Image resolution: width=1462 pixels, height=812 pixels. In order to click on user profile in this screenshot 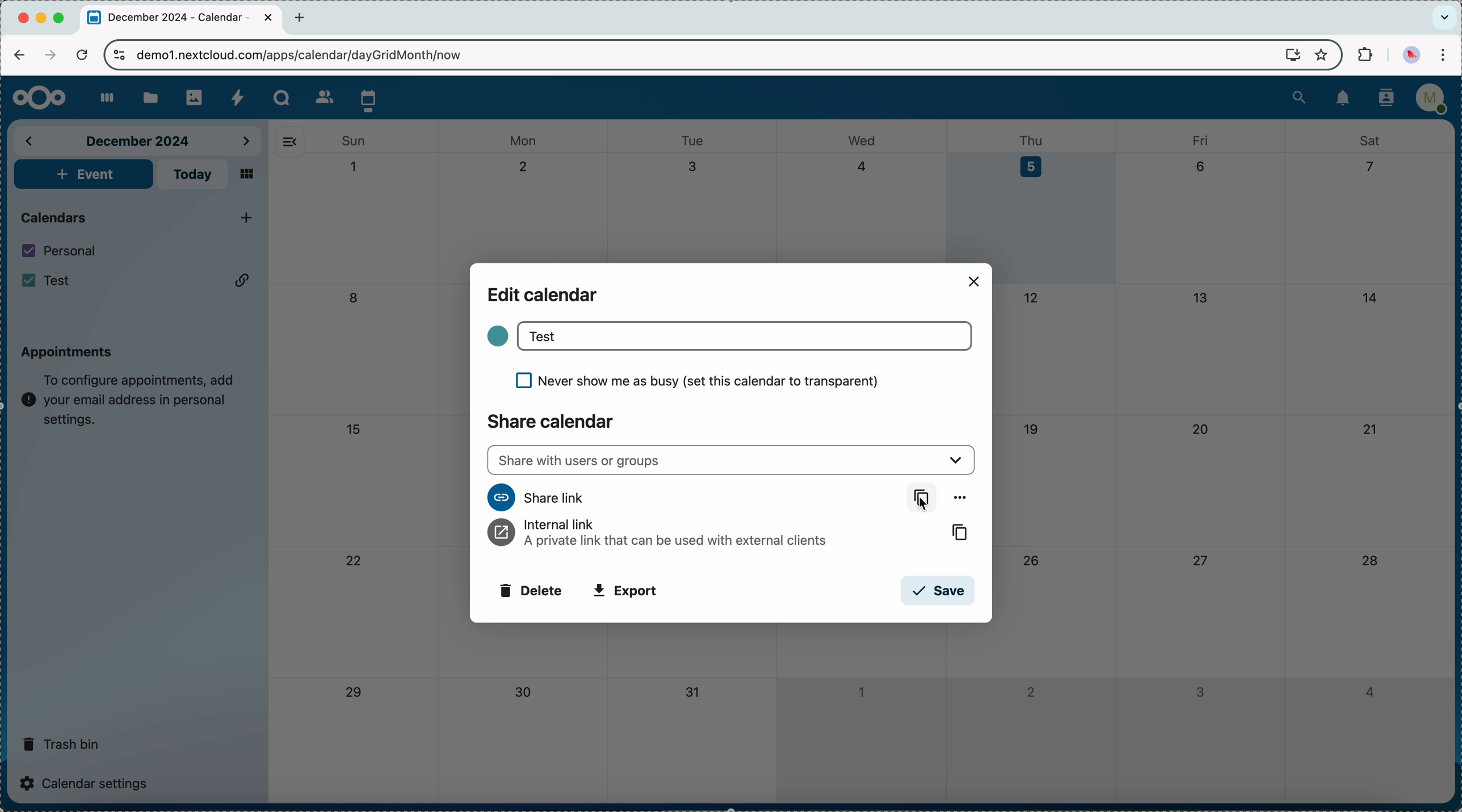, I will do `click(1431, 102)`.